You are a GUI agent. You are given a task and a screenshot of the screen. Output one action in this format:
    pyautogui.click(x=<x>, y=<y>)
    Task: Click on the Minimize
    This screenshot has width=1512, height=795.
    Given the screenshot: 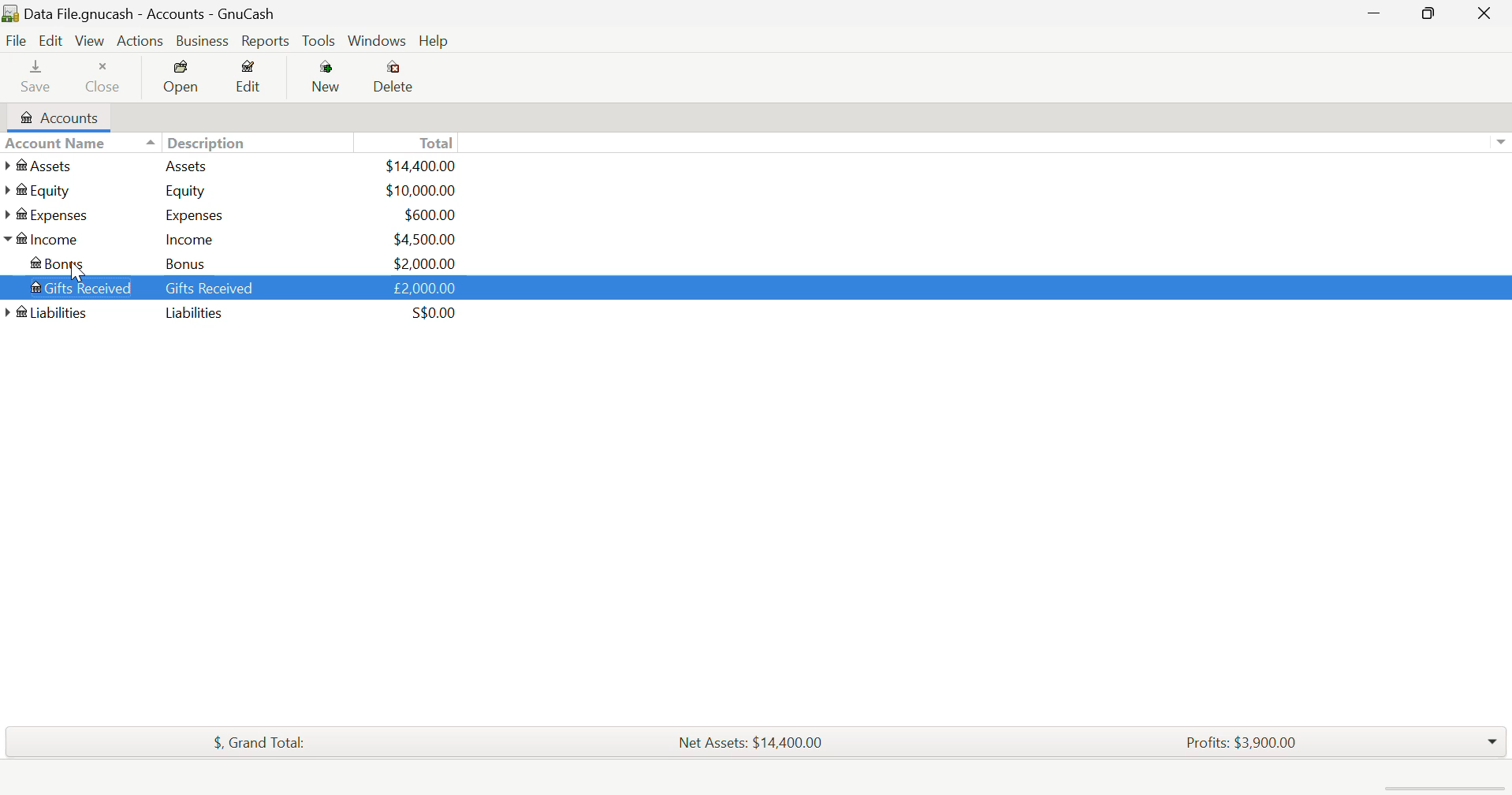 What is the action you would take?
    pyautogui.click(x=1434, y=13)
    